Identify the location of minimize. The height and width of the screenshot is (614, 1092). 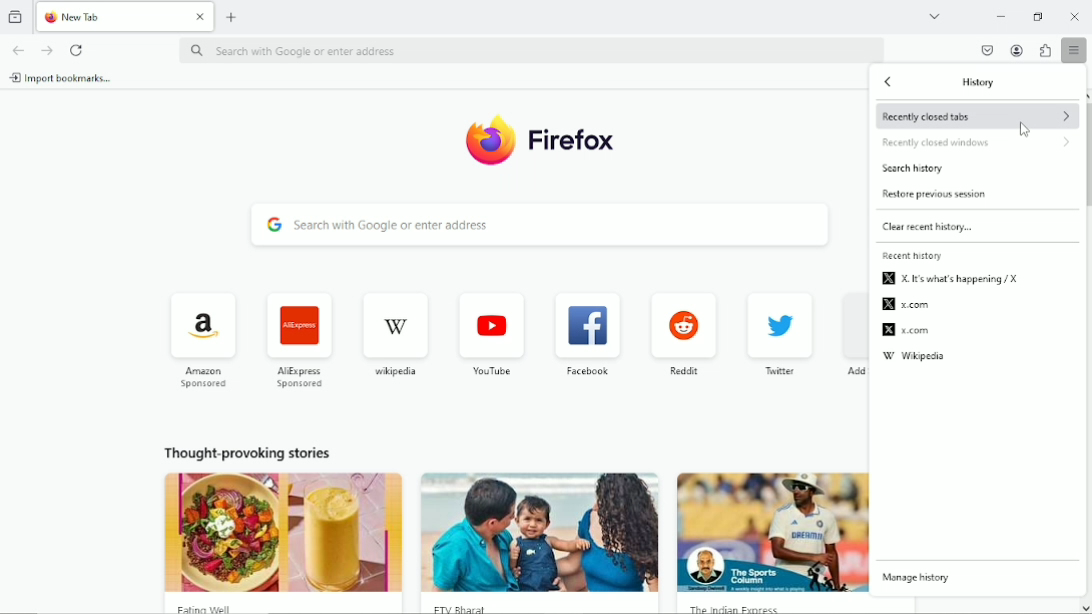
(1002, 16).